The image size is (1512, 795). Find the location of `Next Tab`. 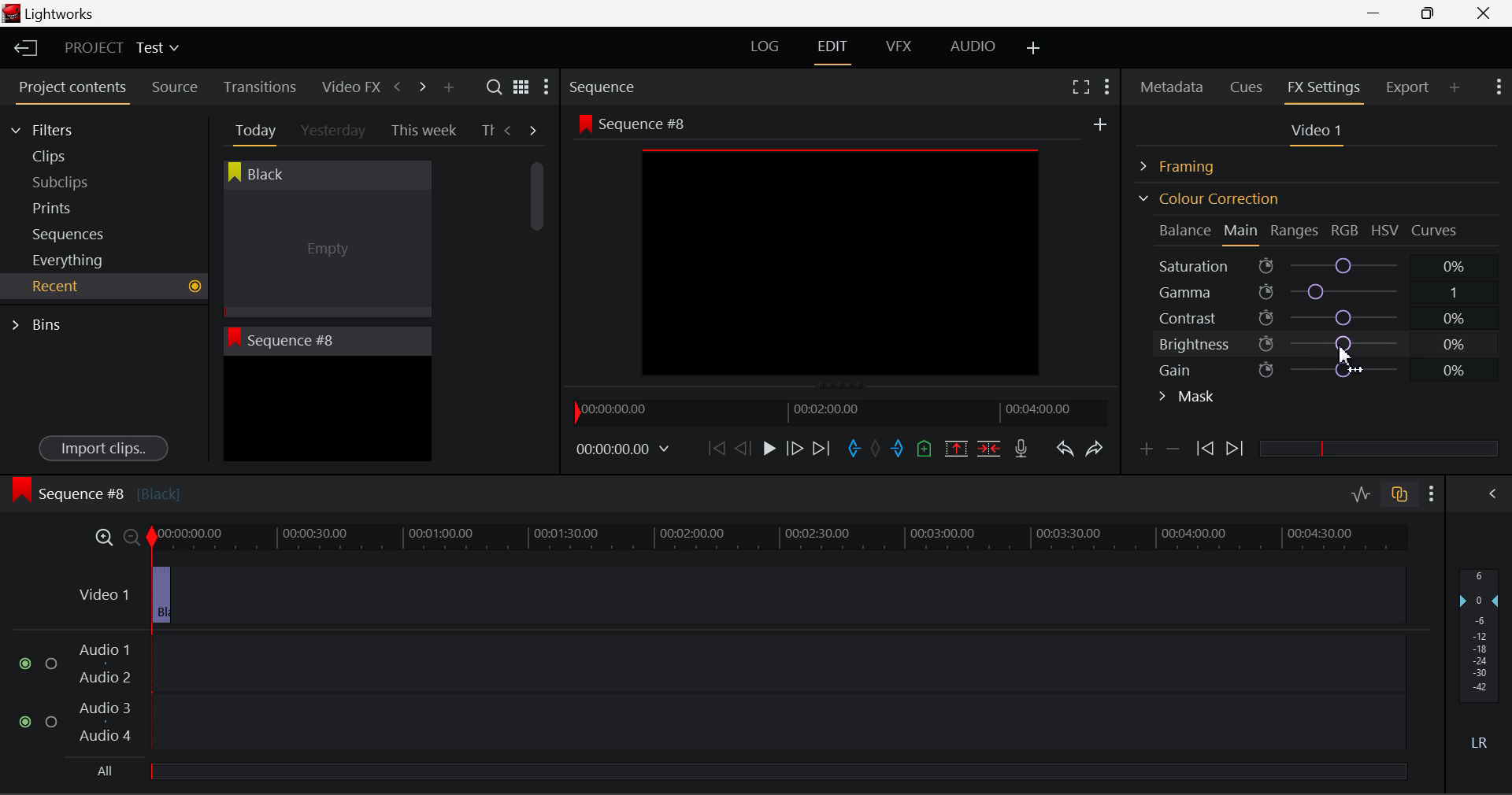

Next Tab is located at coordinates (534, 129).